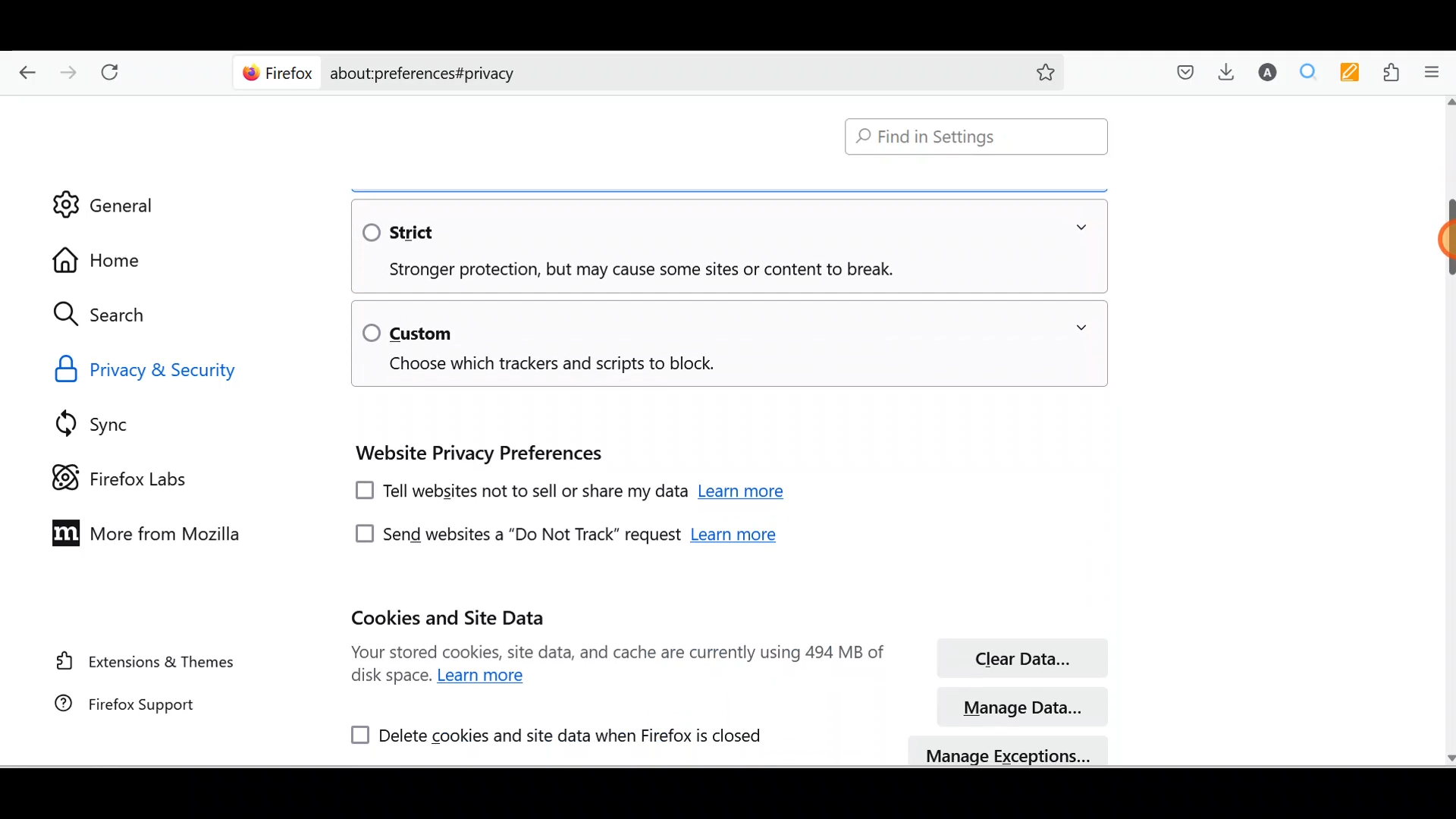 Image resolution: width=1456 pixels, height=819 pixels. Describe the element at coordinates (1447, 102) in the screenshot. I see `move up` at that location.